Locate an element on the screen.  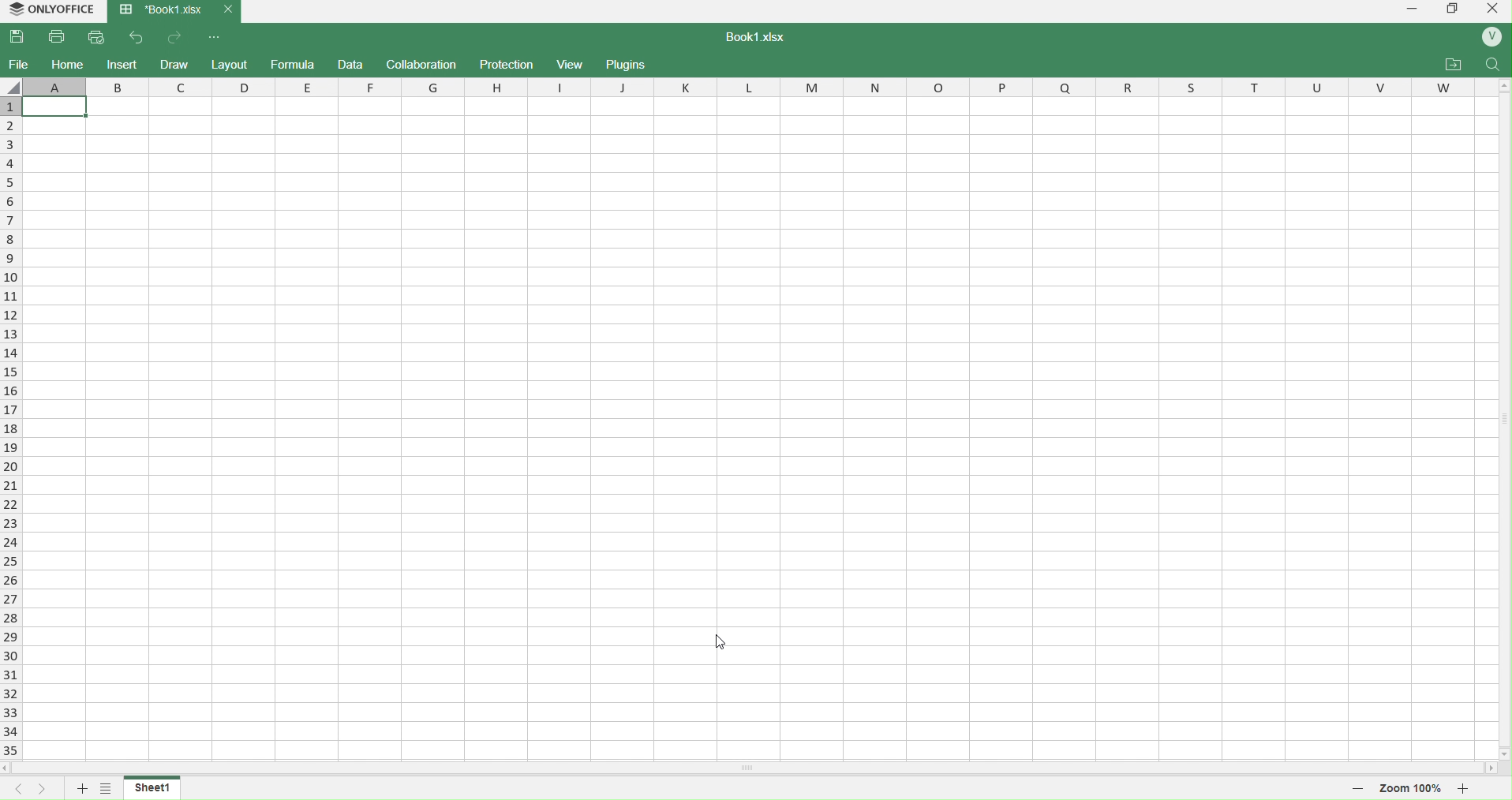
protection is located at coordinates (503, 64).